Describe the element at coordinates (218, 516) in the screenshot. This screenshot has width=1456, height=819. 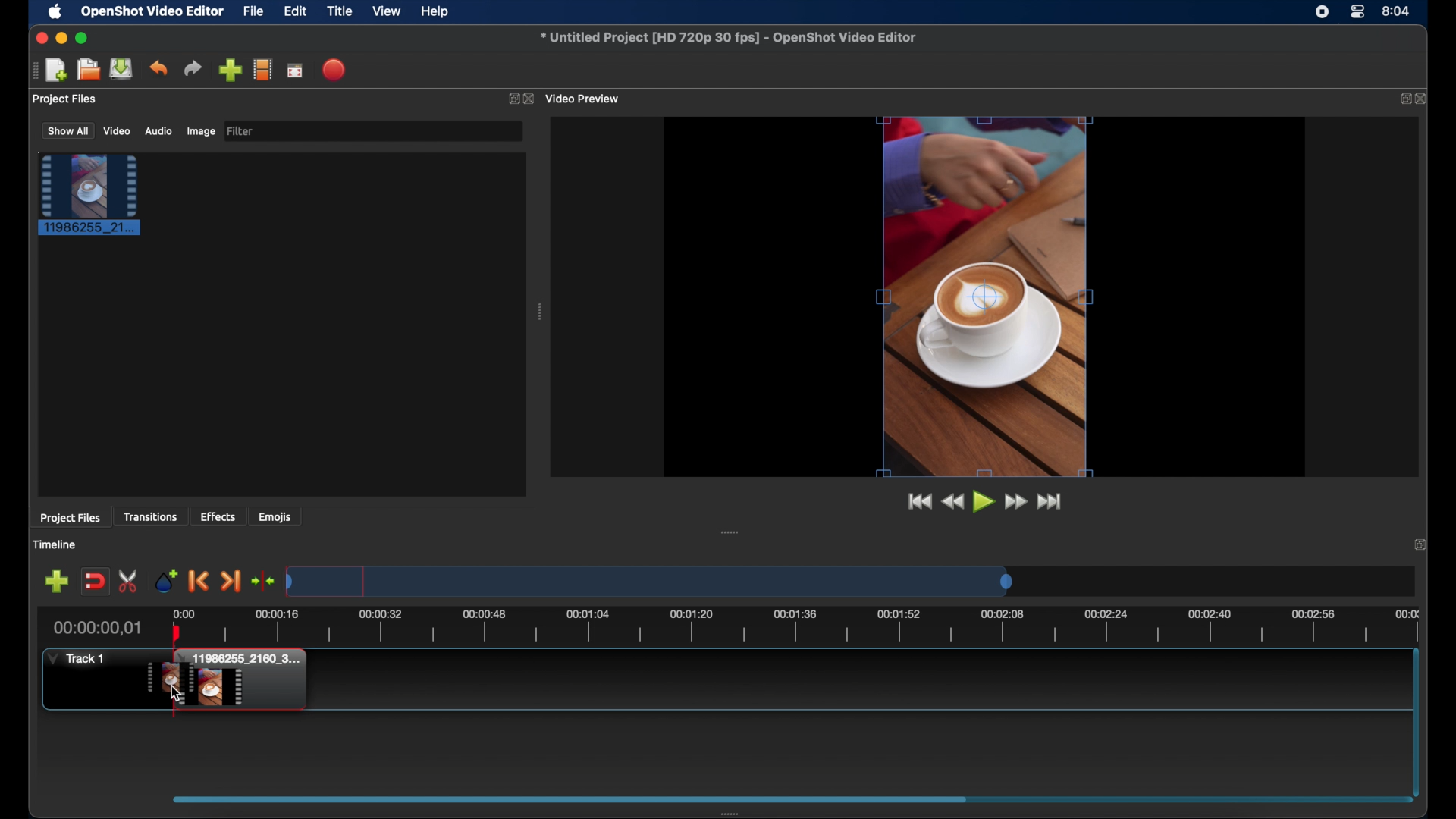
I see `effects` at that location.